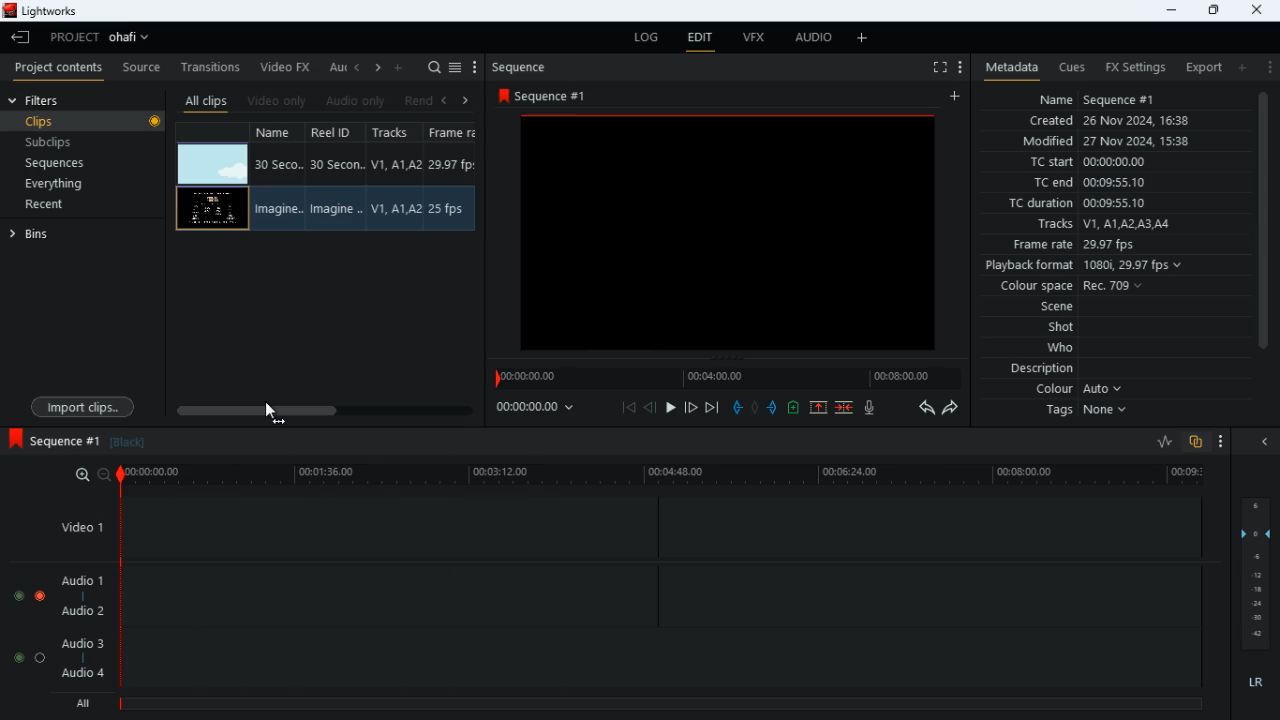  Describe the element at coordinates (700, 37) in the screenshot. I see `edit` at that location.